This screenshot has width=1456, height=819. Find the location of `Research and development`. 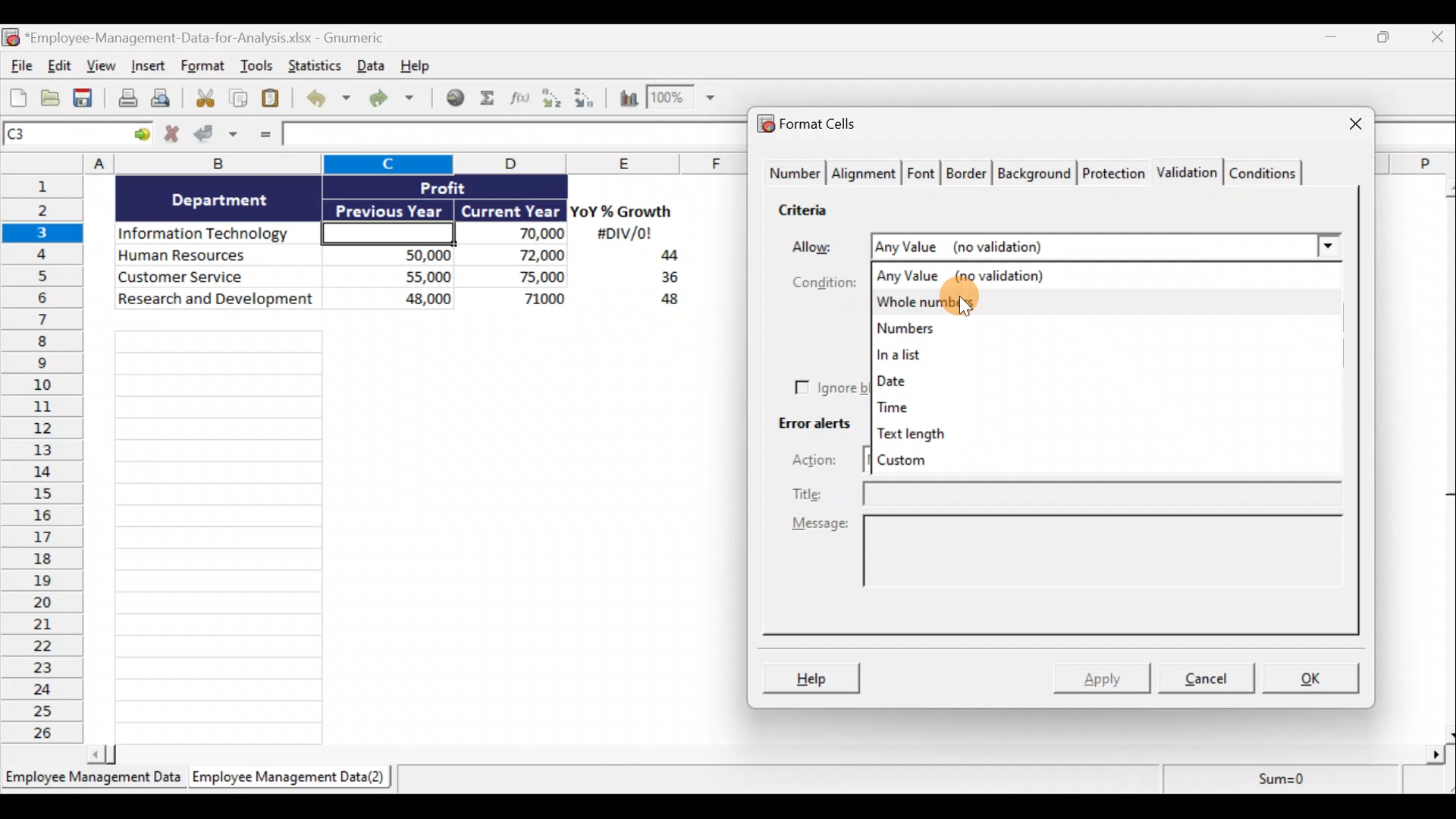

Research and development is located at coordinates (217, 300).